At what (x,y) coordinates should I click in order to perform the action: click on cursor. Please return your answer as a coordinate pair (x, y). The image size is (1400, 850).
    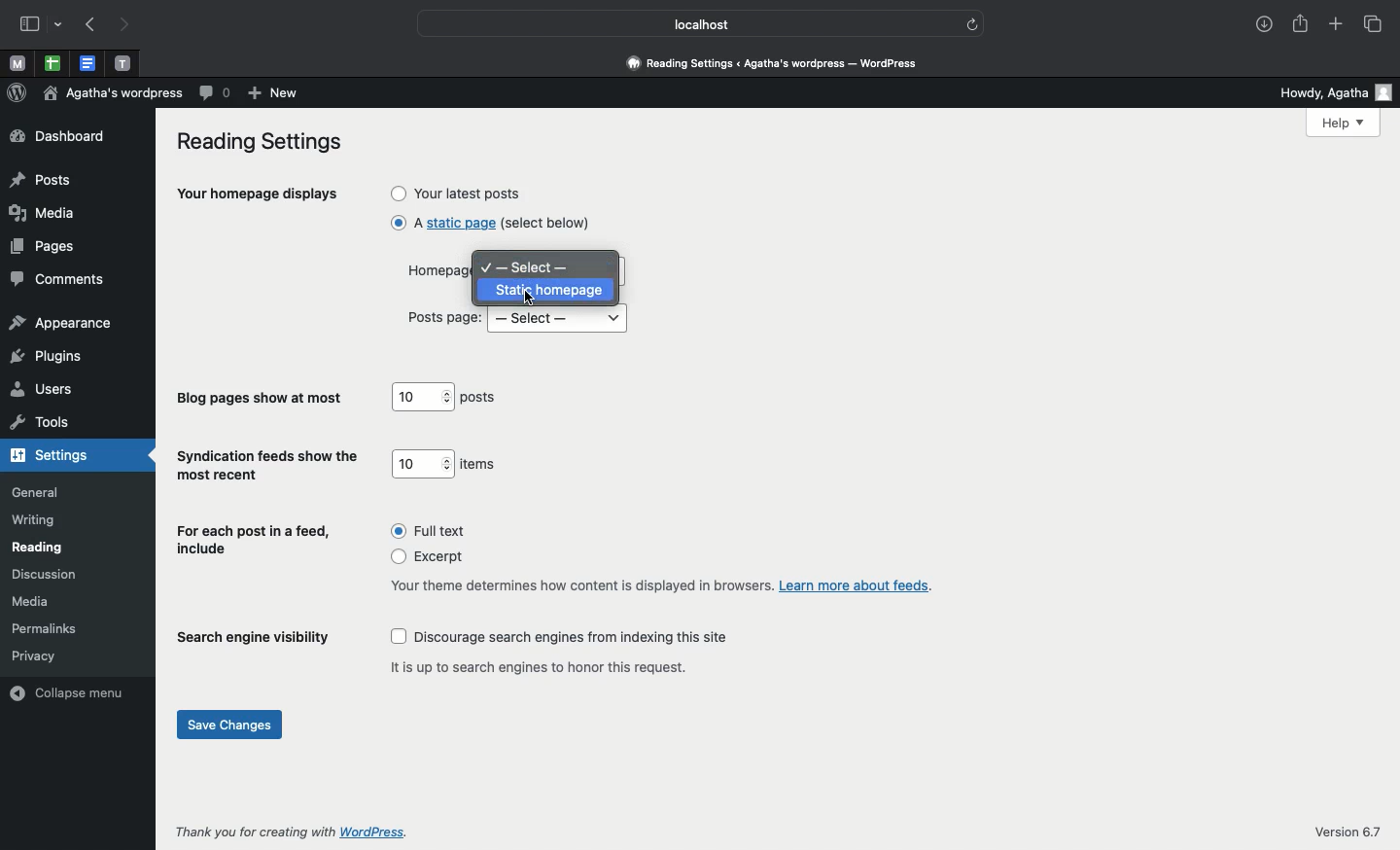
    Looking at the image, I should click on (529, 297).